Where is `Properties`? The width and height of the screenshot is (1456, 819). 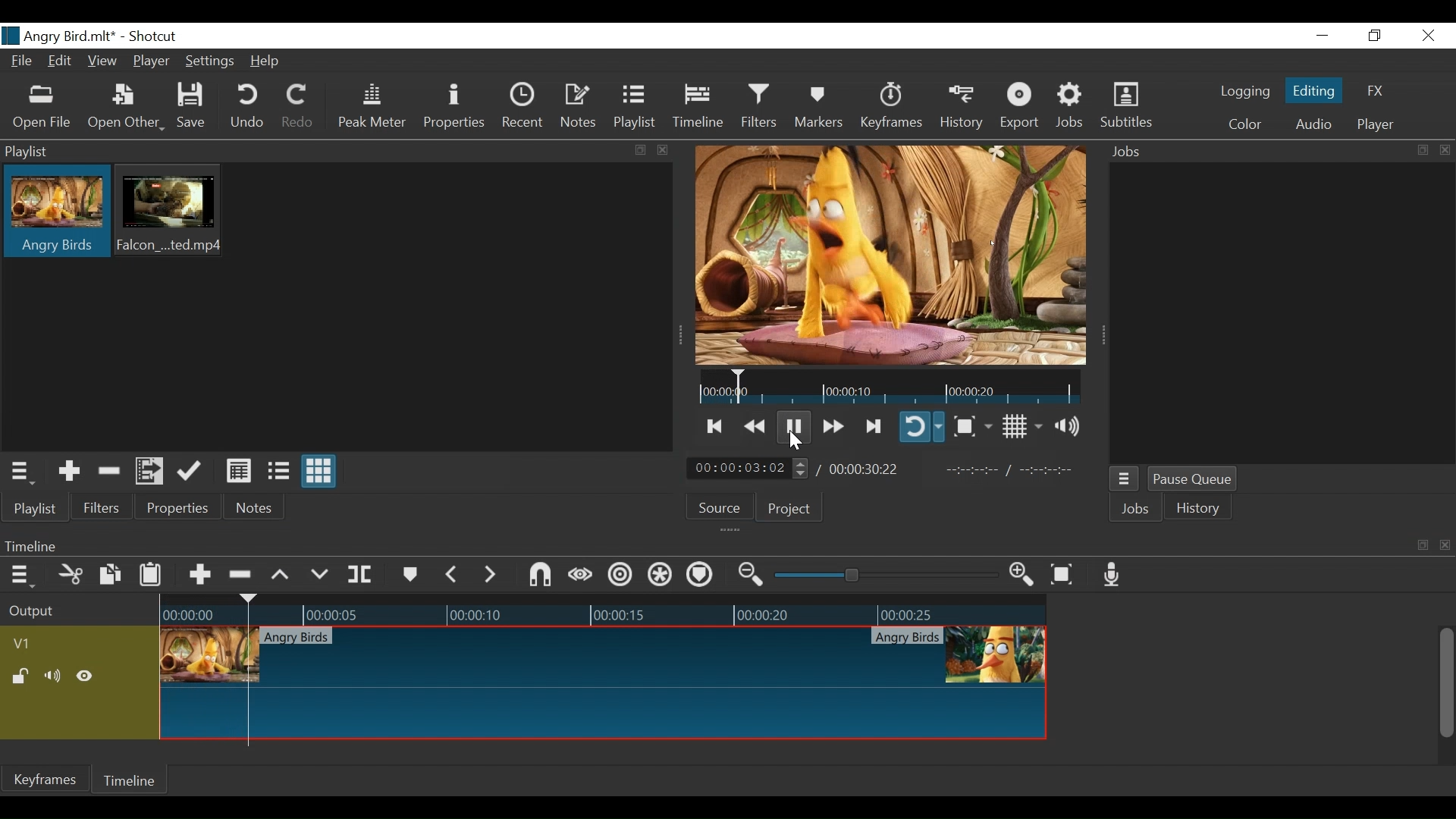
Properties is located at coordinates (456, 109).